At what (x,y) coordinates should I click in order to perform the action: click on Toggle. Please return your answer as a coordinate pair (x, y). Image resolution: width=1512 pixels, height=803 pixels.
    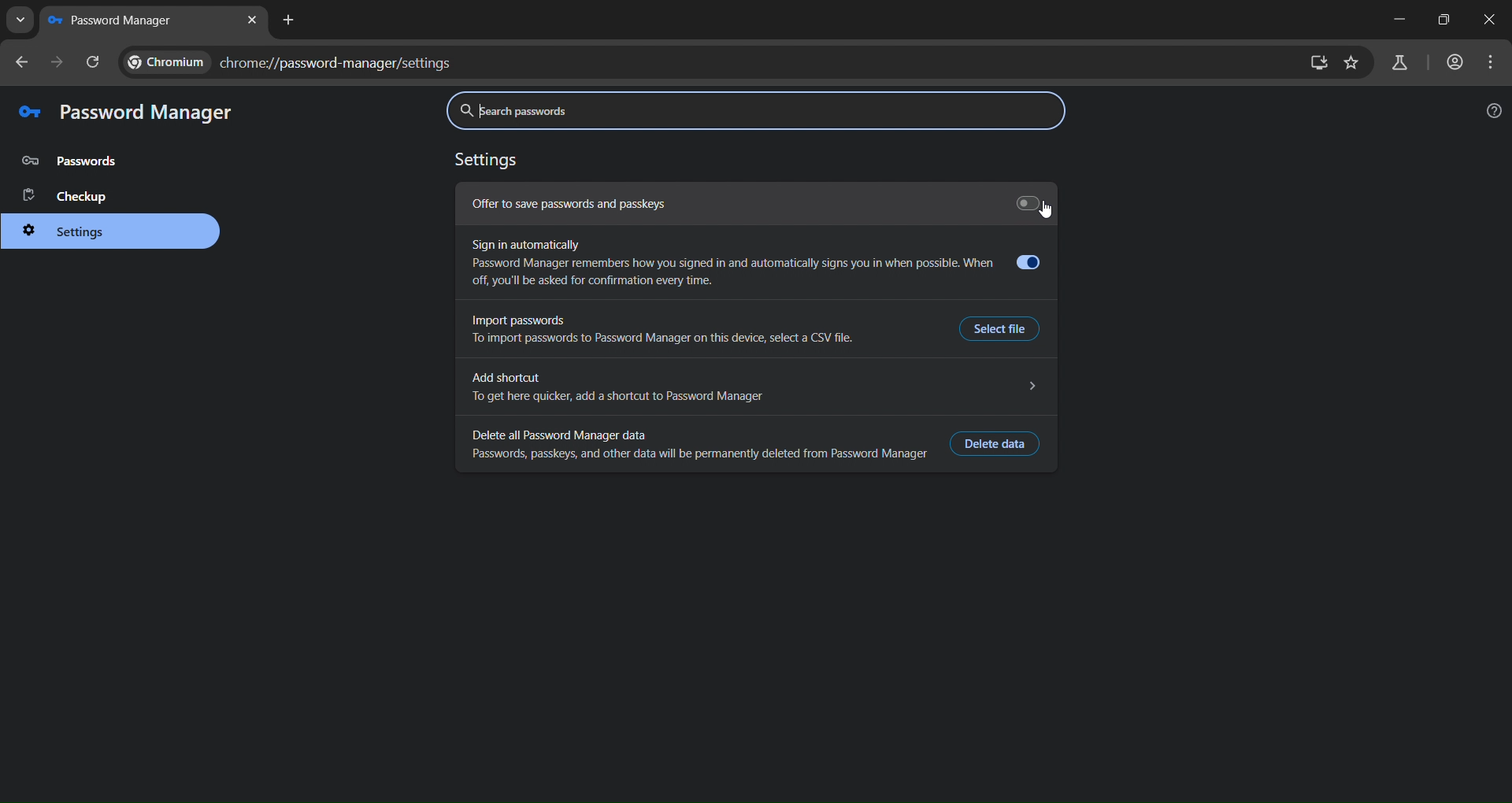
    Looking at the image, I should click on (1028, 259).